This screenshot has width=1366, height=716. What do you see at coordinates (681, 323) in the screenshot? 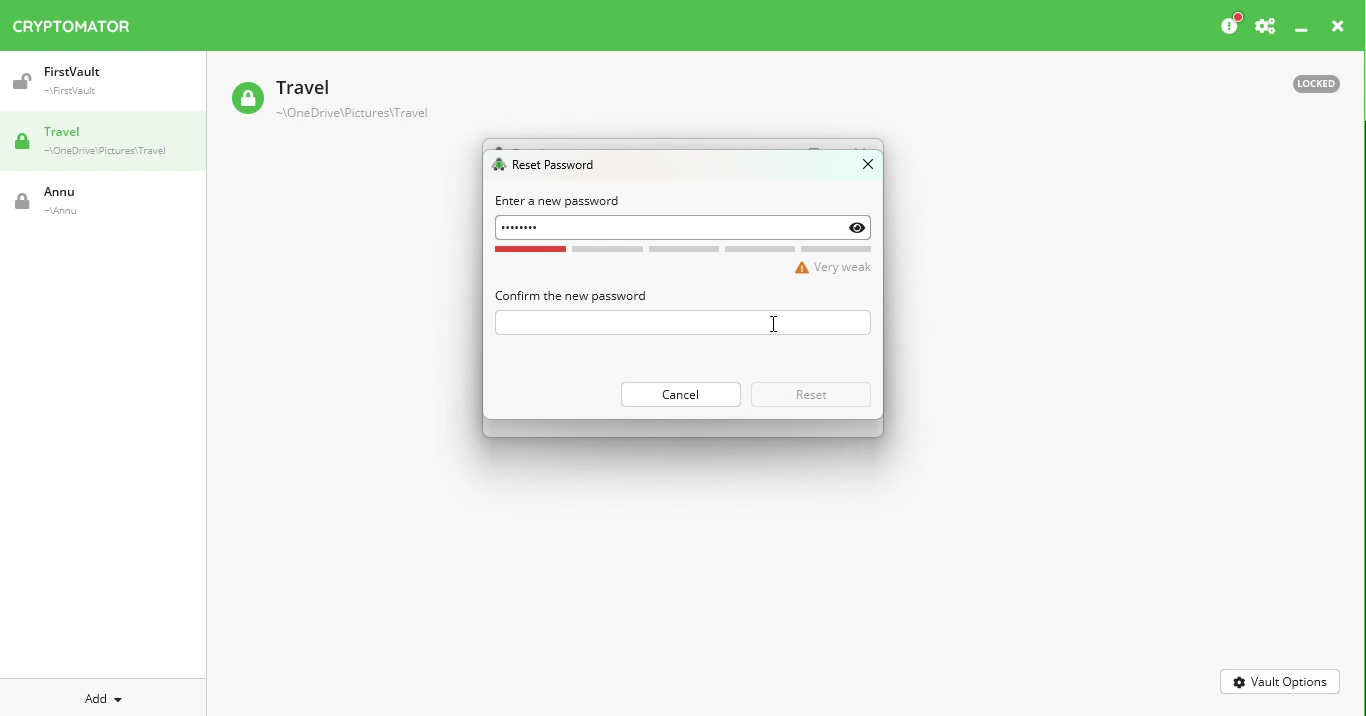
I see `Enter password` at bounding box center [681, 323].